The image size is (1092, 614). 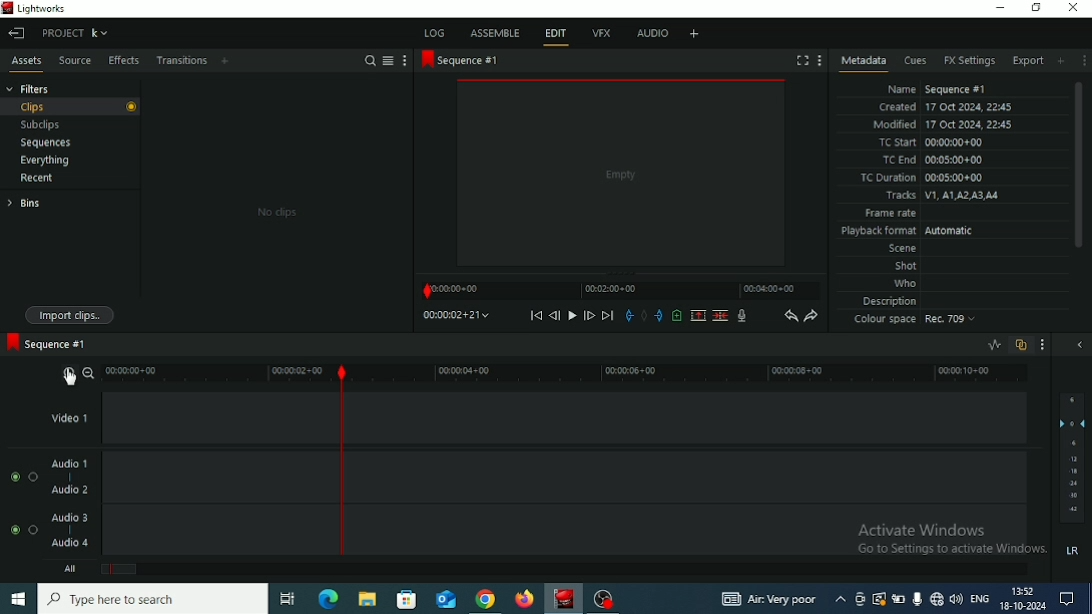 I want to click on Add, remove and create layouts, so click(x=695, y=33).